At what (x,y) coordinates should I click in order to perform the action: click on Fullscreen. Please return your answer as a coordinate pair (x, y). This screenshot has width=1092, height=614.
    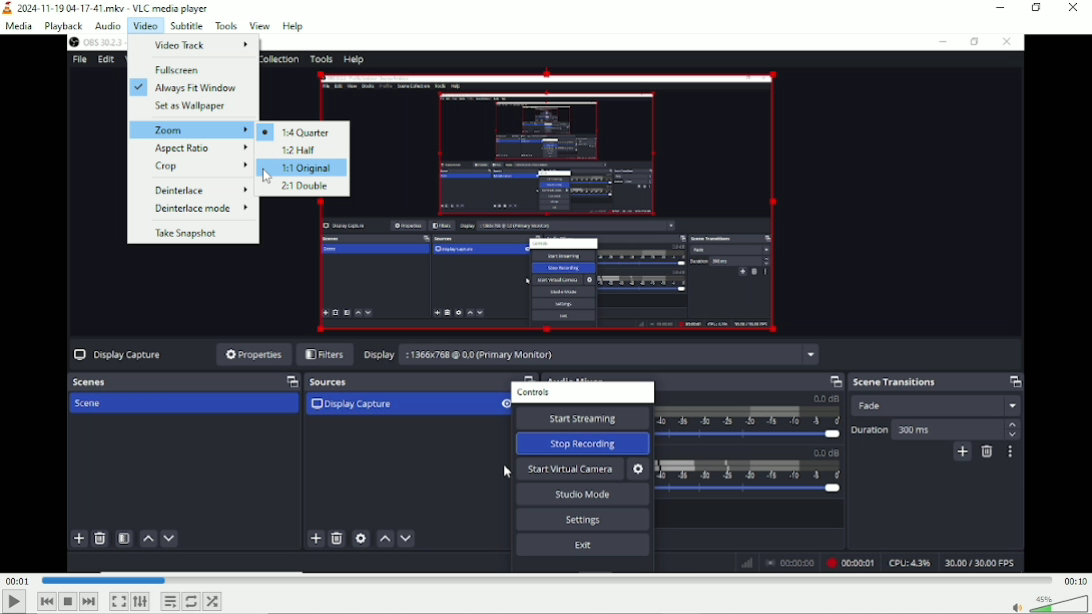
    Looking at the image, I should click on (179, 70).